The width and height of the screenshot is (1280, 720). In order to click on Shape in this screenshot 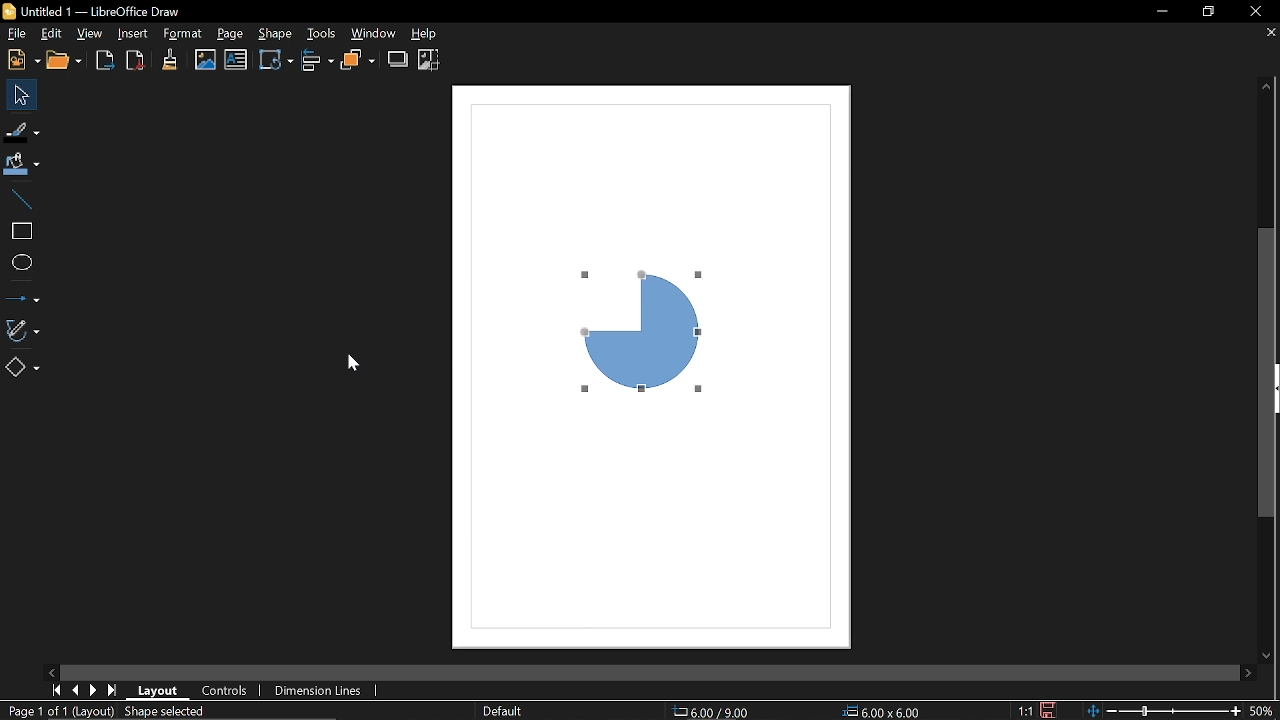, I will do `click(278, 33)`.